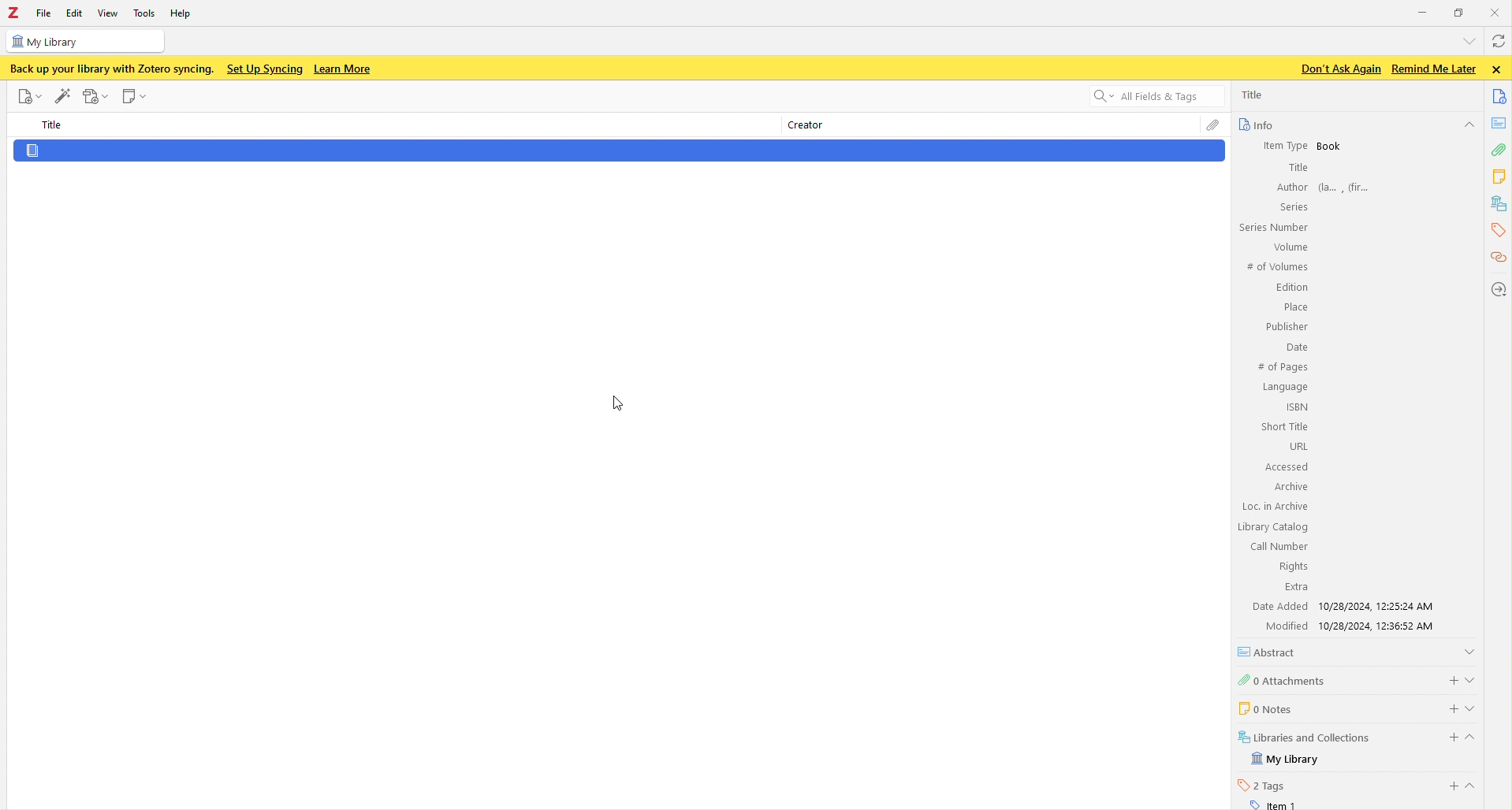 This screenshot has width=1512, height=810. I want to click on hide, so click(1477, 740).